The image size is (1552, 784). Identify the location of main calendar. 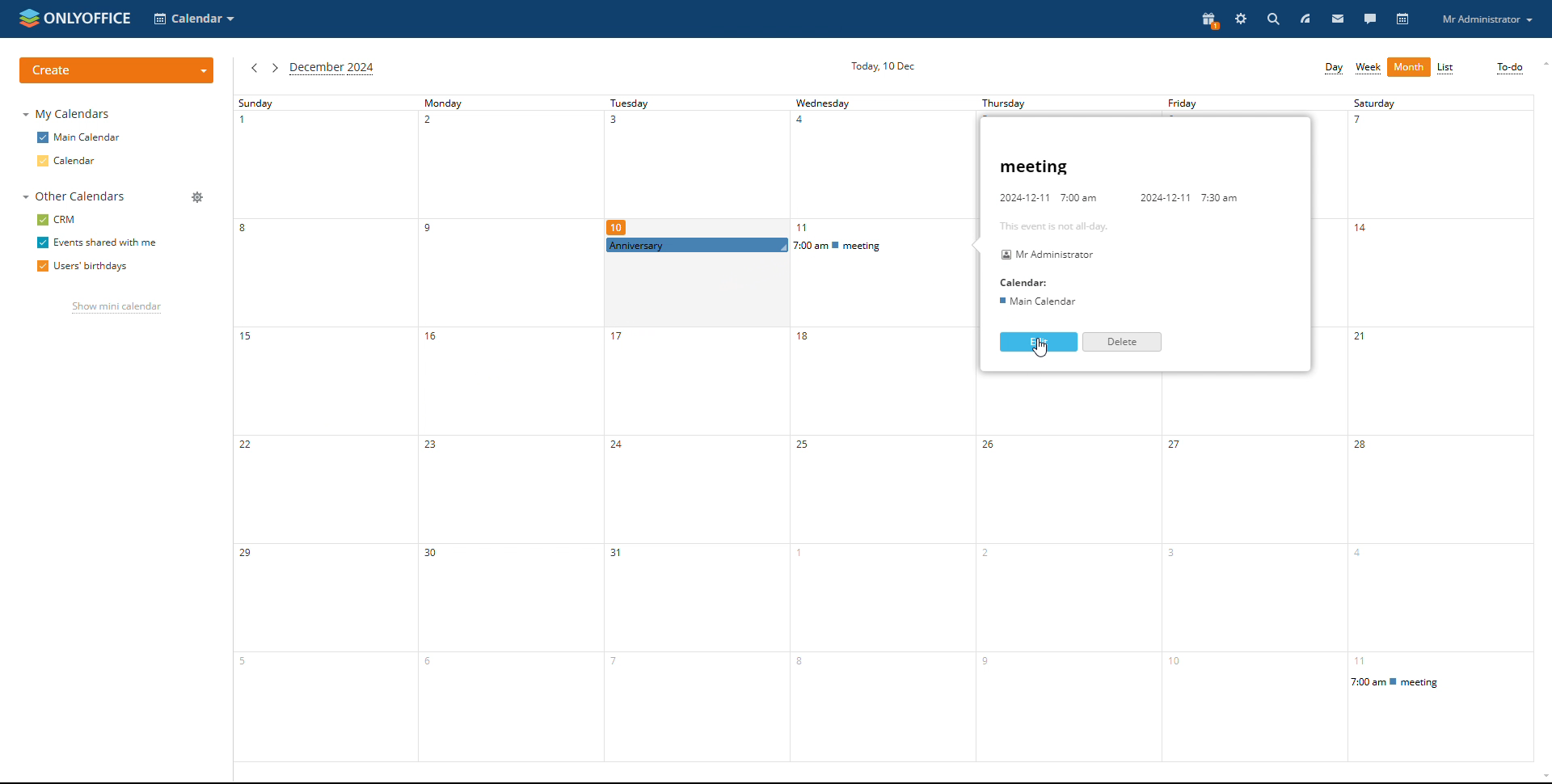
(80, 138).